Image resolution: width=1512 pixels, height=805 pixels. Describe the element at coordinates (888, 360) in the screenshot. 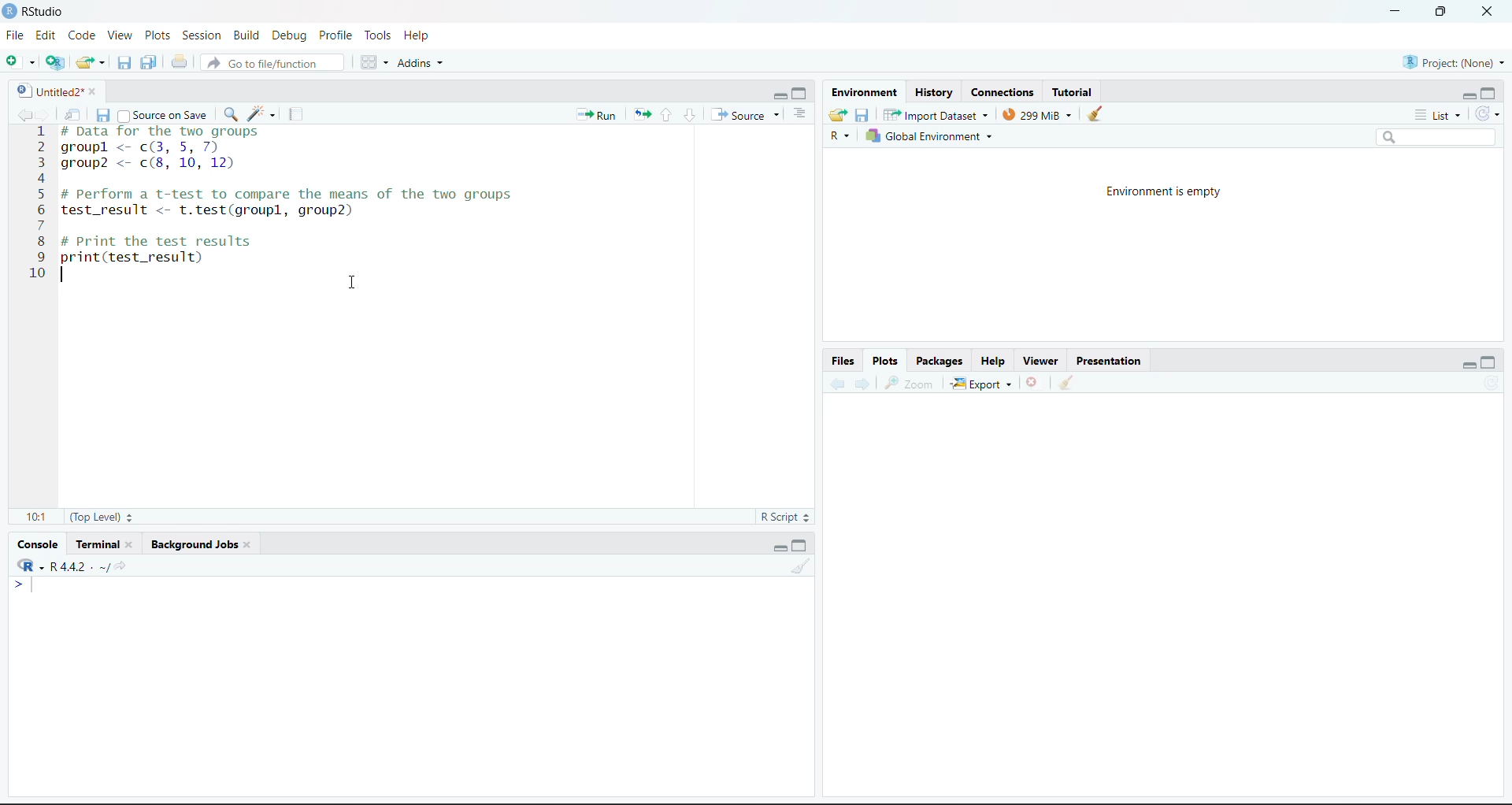

I see `Plots` at that location.